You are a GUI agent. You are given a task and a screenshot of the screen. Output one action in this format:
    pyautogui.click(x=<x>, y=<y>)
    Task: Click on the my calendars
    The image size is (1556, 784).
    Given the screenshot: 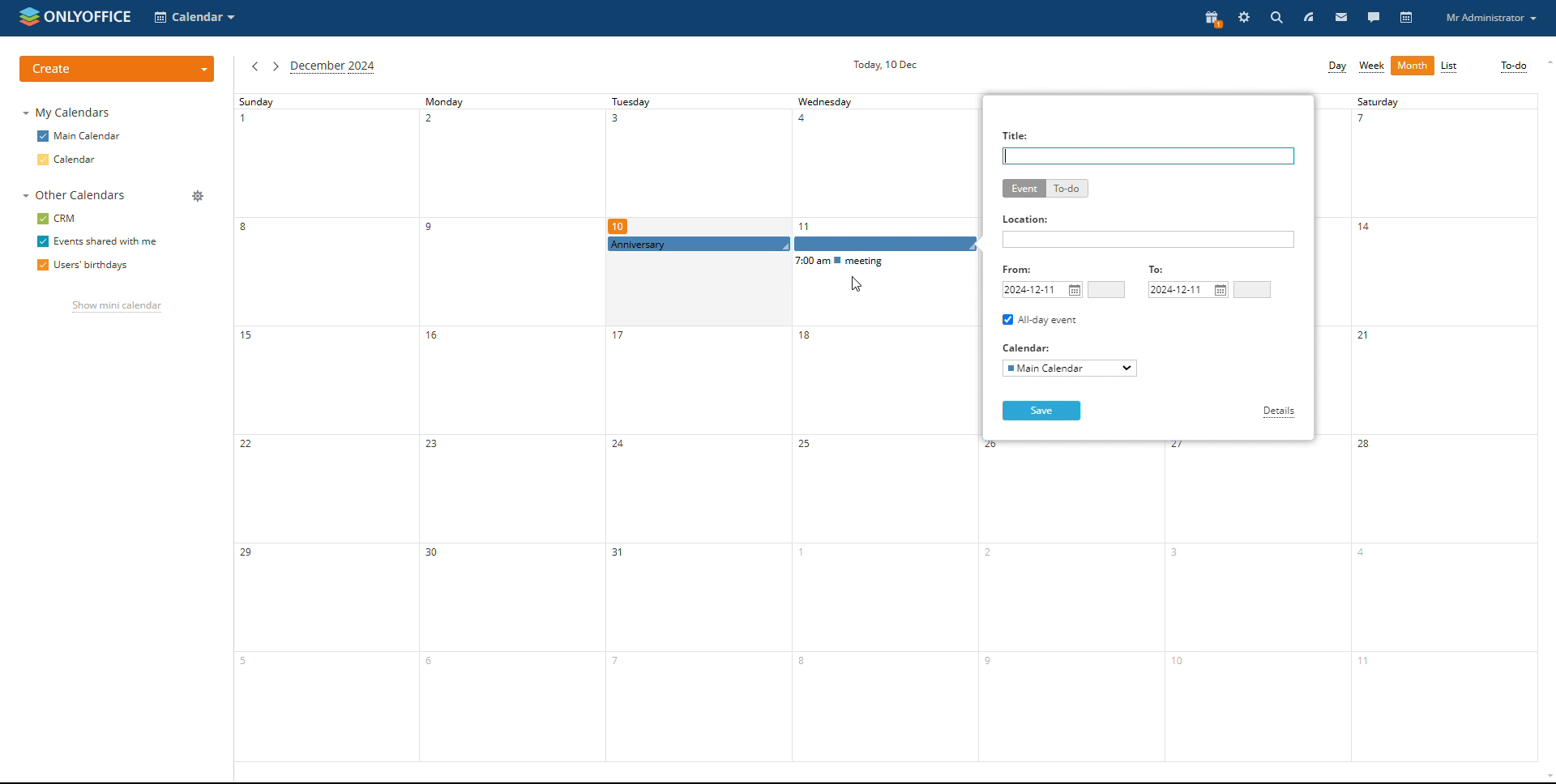 What is the action you would take?
    pyautogui.click(x=65, y=113)
    